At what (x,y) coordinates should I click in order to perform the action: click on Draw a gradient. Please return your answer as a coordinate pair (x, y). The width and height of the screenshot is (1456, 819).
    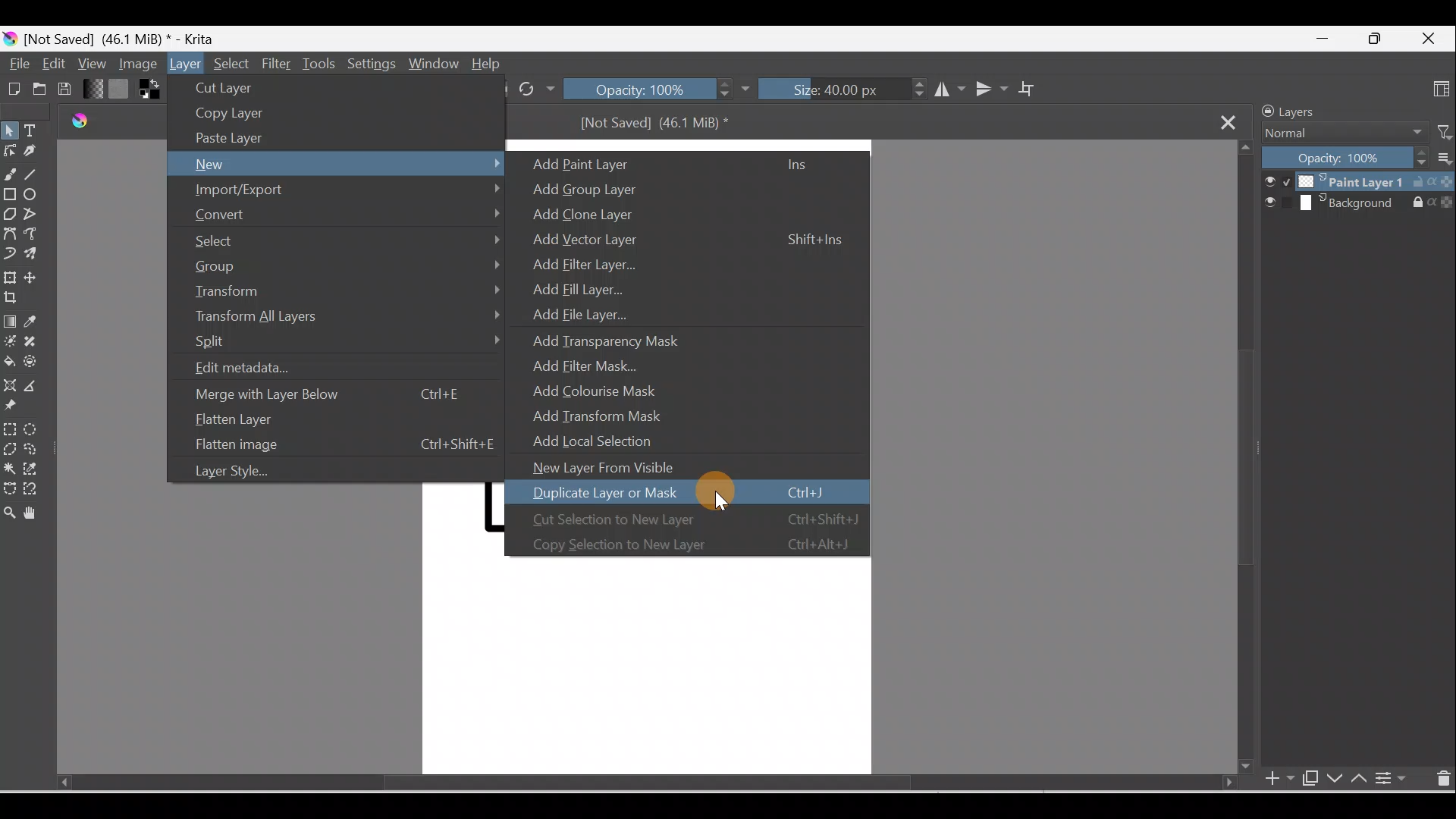
    Looking at the image, I should click on (11, 322).